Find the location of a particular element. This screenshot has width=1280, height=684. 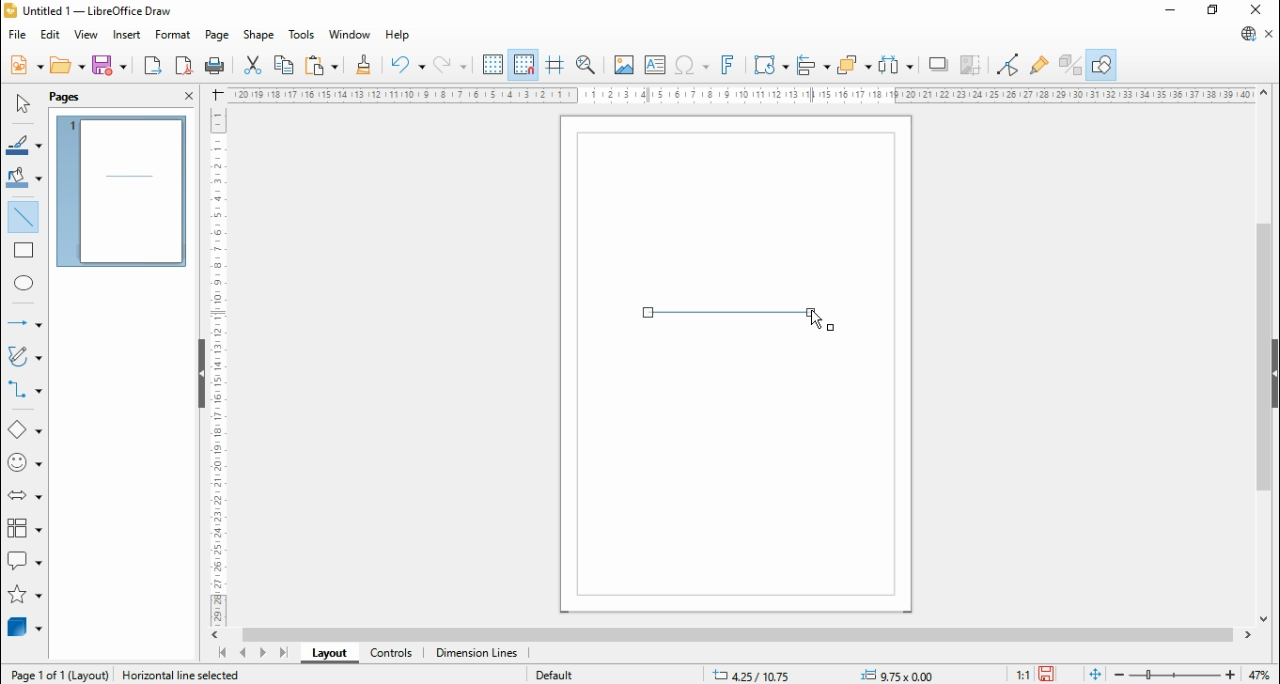

show glue point functions is located at coordinates (1038, 64).